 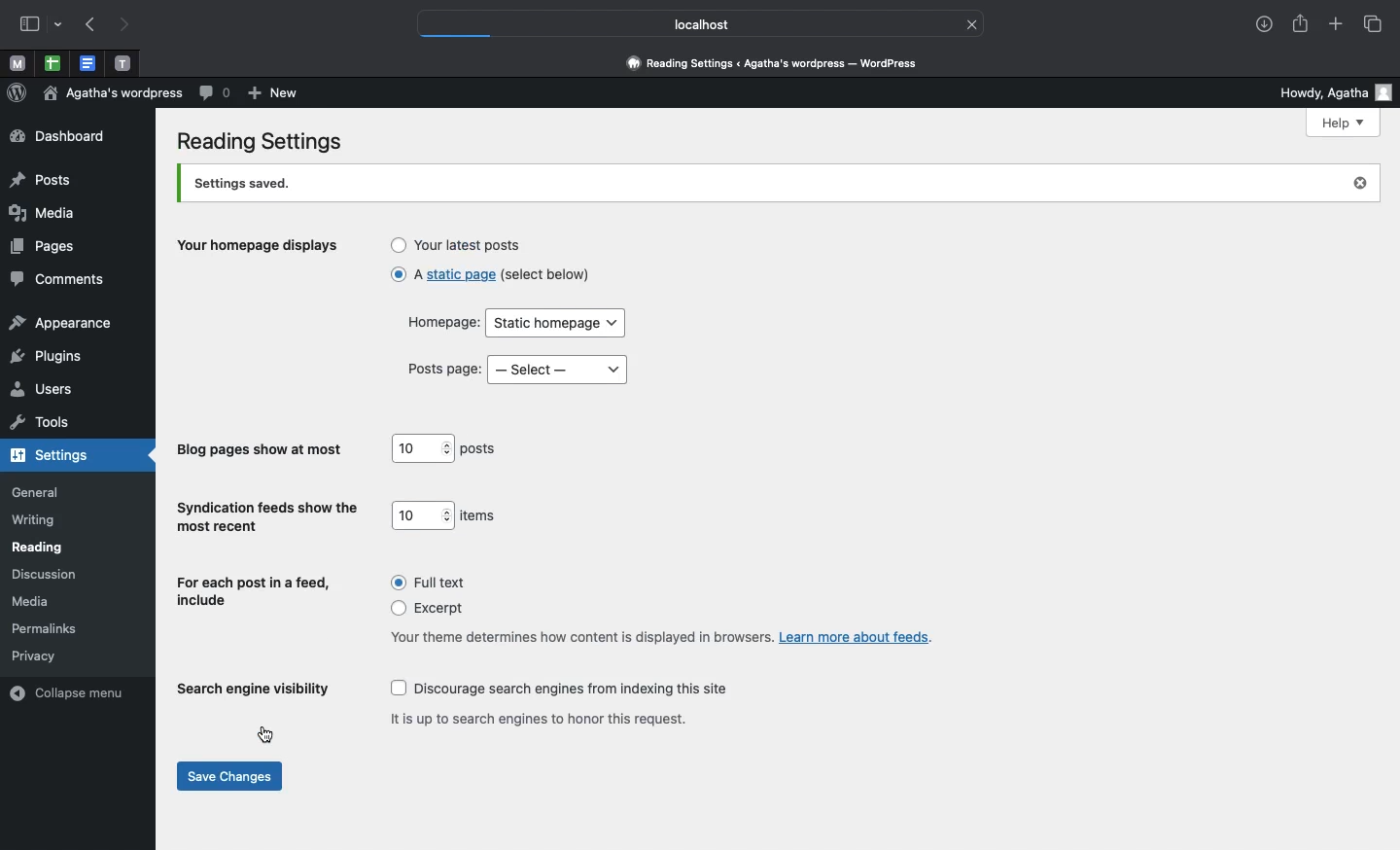 What do you see at coordinates (1326, 91) in the screenshot?
I see `Howdy user` at bounding box center [1326, 91].